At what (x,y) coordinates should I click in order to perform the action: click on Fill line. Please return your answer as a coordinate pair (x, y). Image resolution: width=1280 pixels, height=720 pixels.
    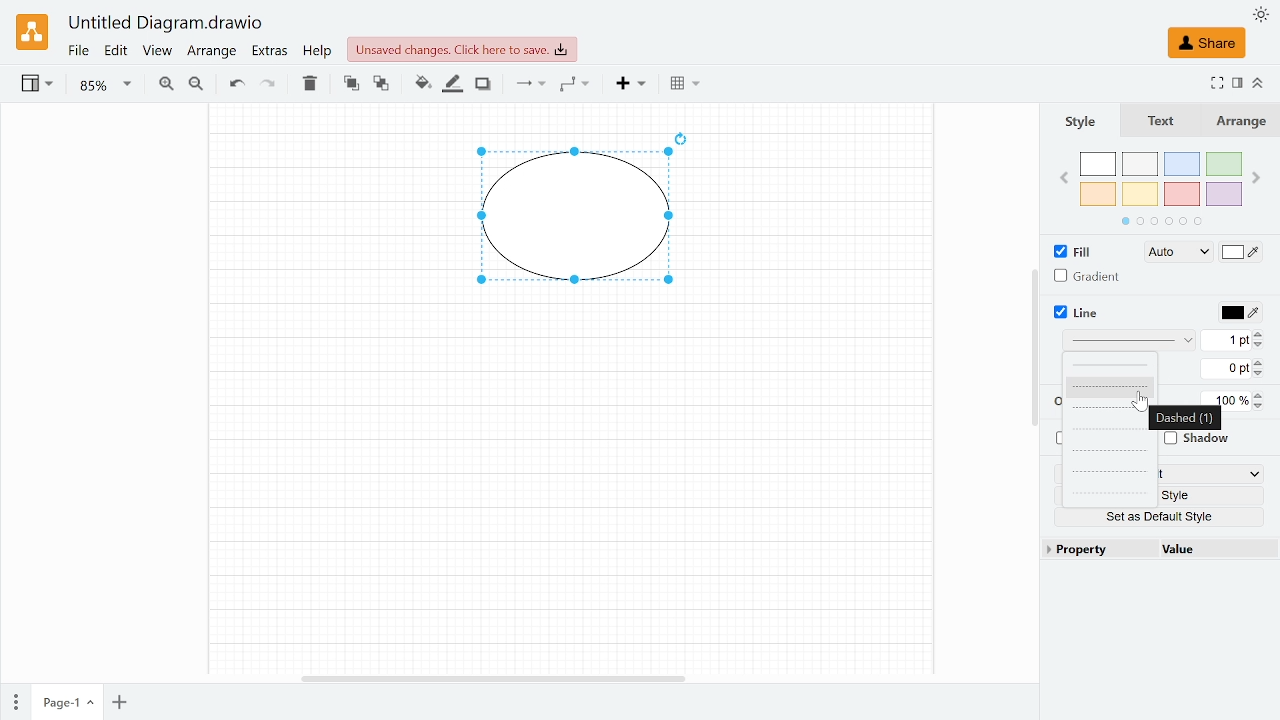
    Looking at the image, I should click on (450, 85).